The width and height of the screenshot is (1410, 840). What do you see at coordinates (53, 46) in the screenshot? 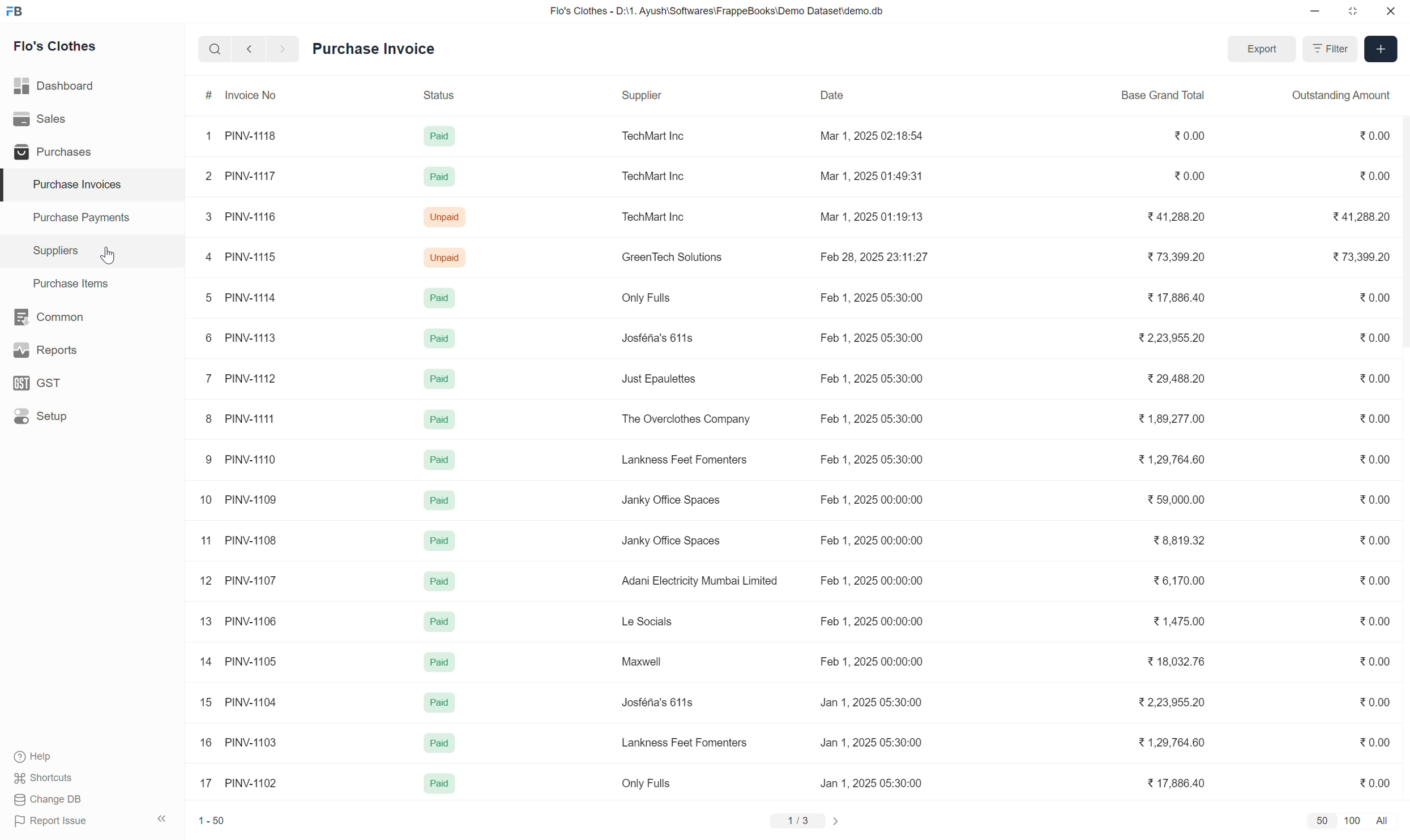
I see `Flo's Clothes` at bounding box center [53, 46].